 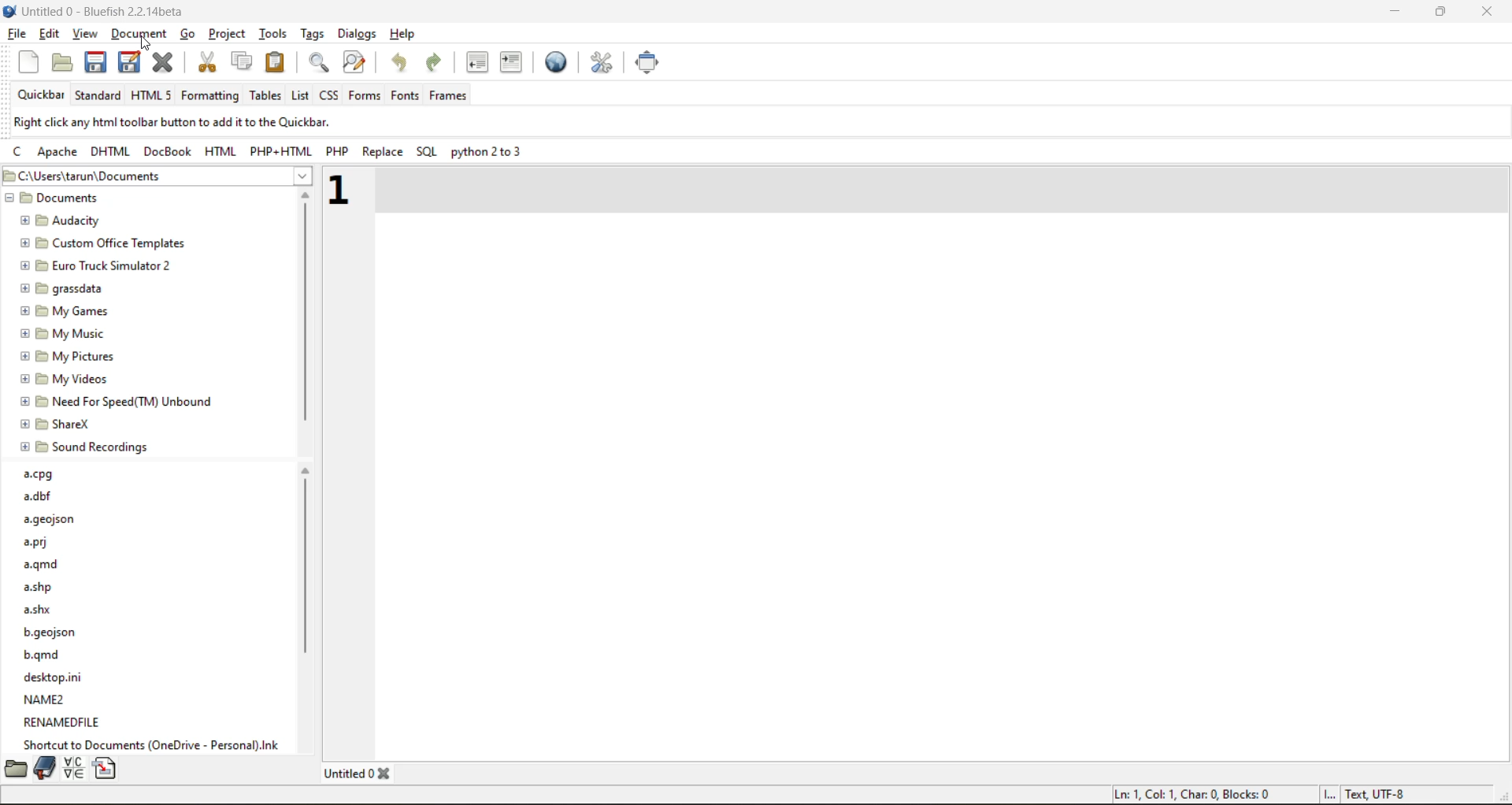 I want to click on quickbar, so click(x=41, y=94).